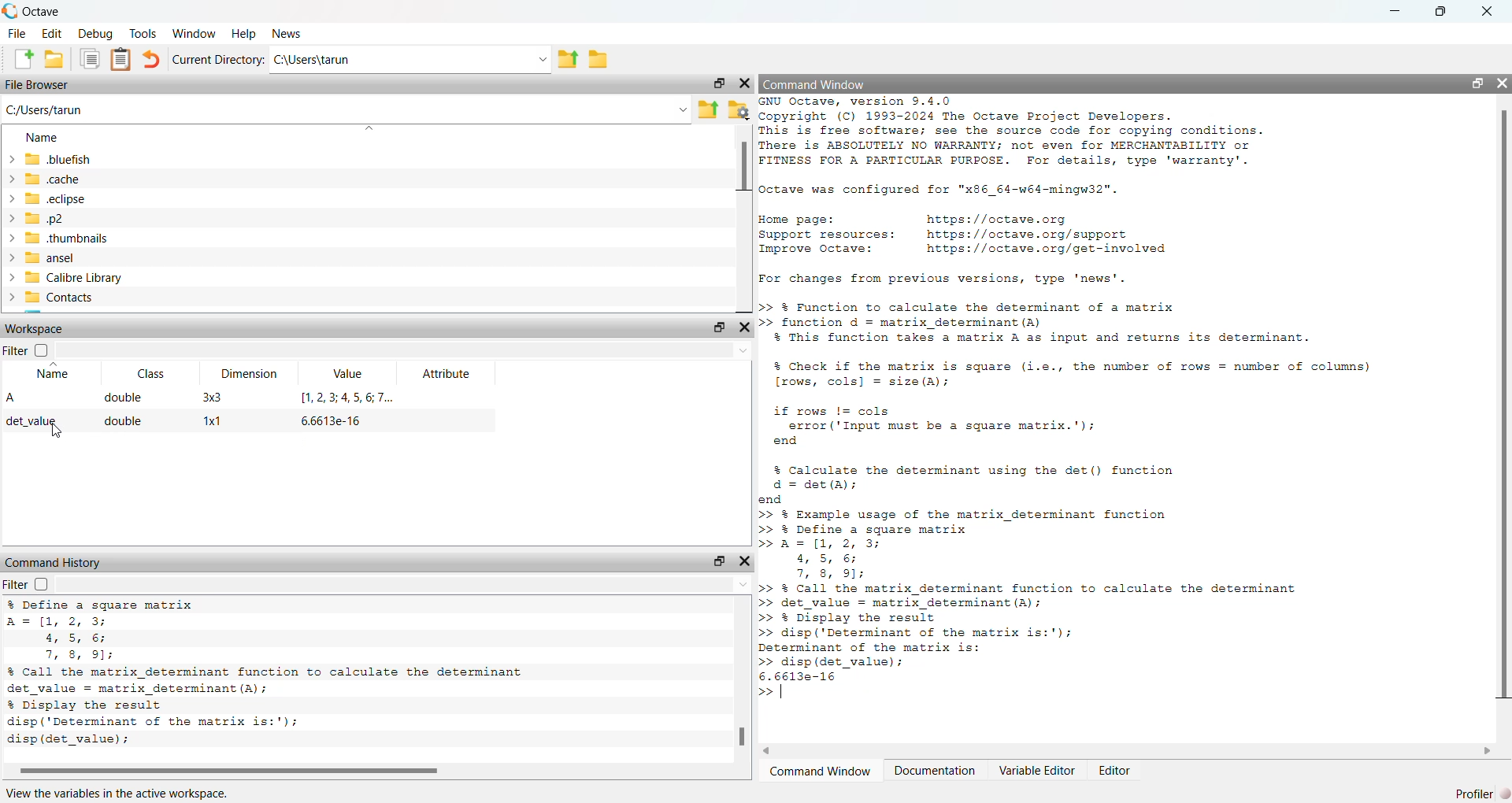  What do you see at coordinates (35, 330) in the screenshot?
I see `workspace` at bounding box center [35, 330].